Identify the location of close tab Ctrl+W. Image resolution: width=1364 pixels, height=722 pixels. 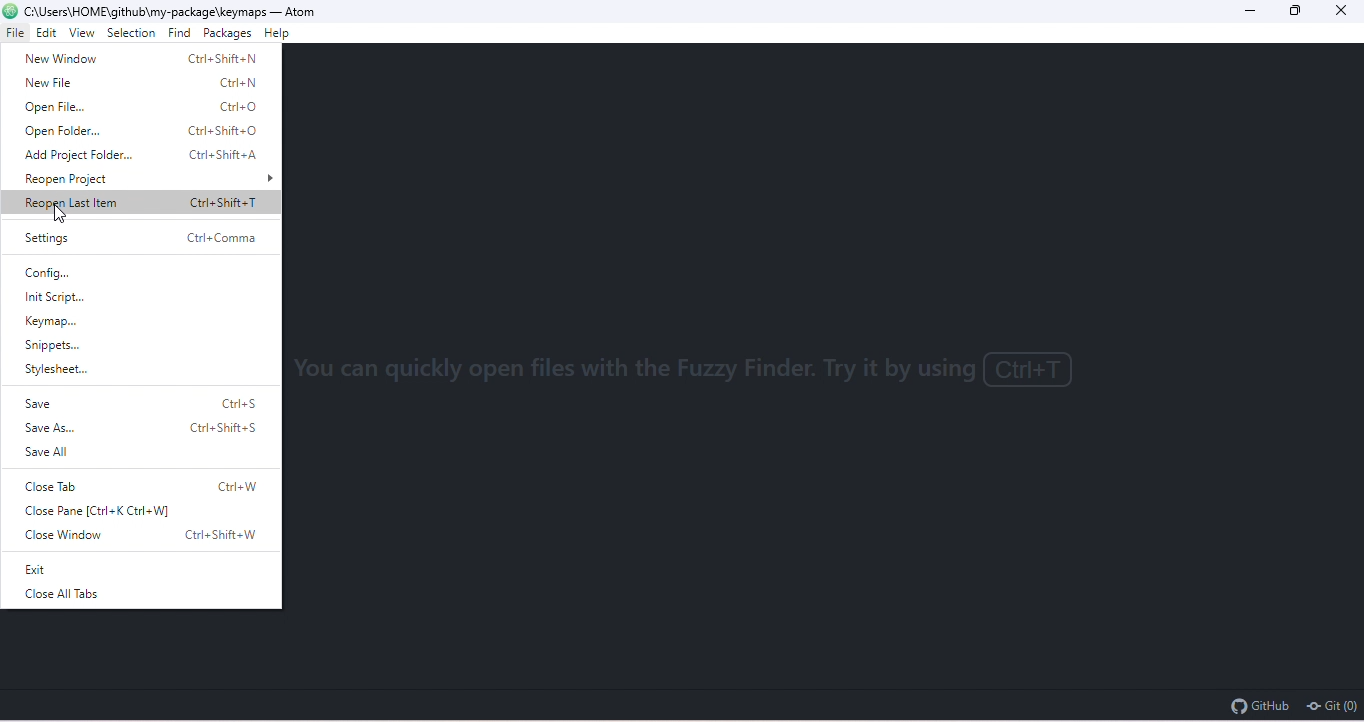
(145, 487).